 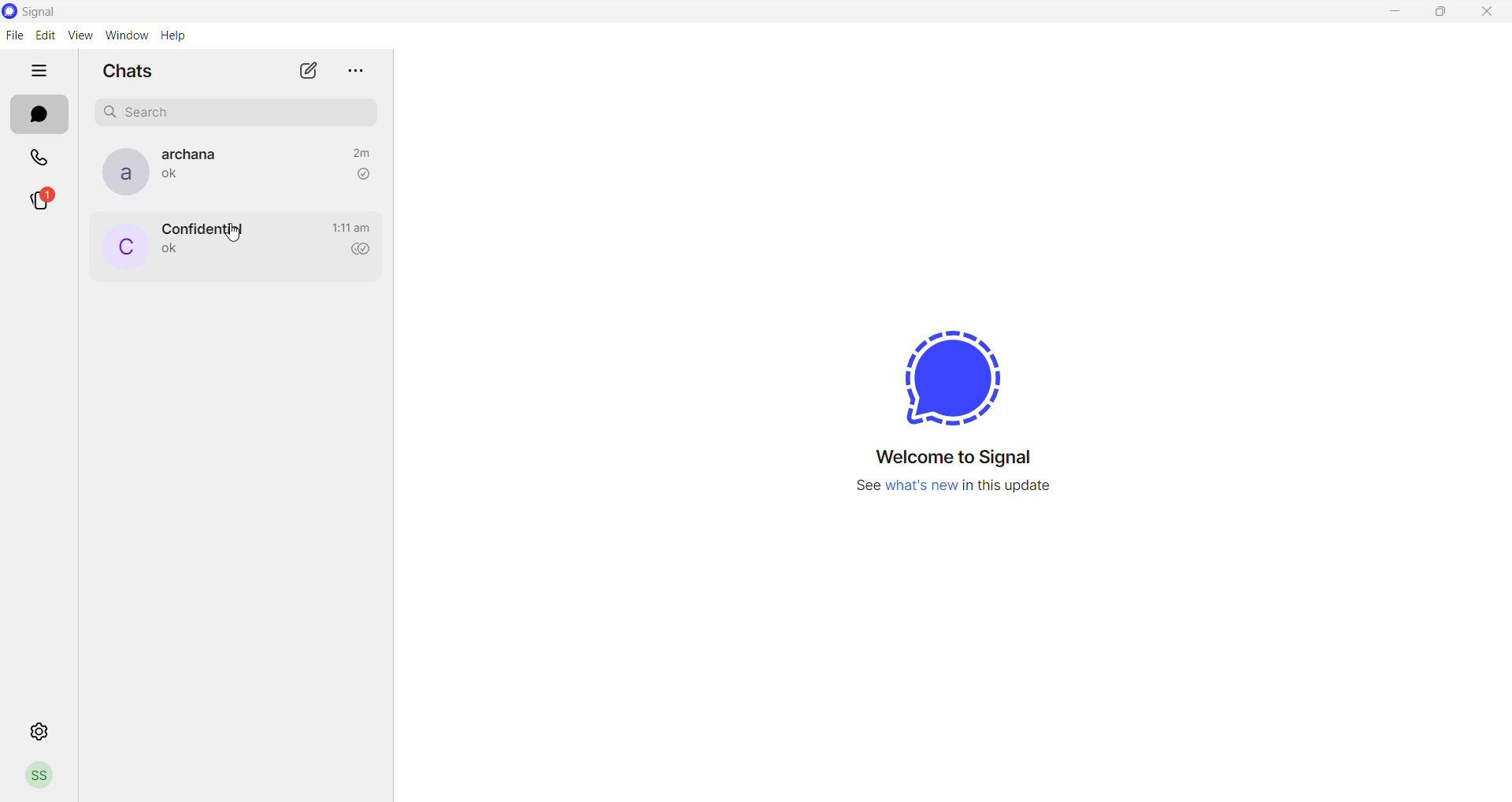 I want to click on view, so click(x=82, y=36).